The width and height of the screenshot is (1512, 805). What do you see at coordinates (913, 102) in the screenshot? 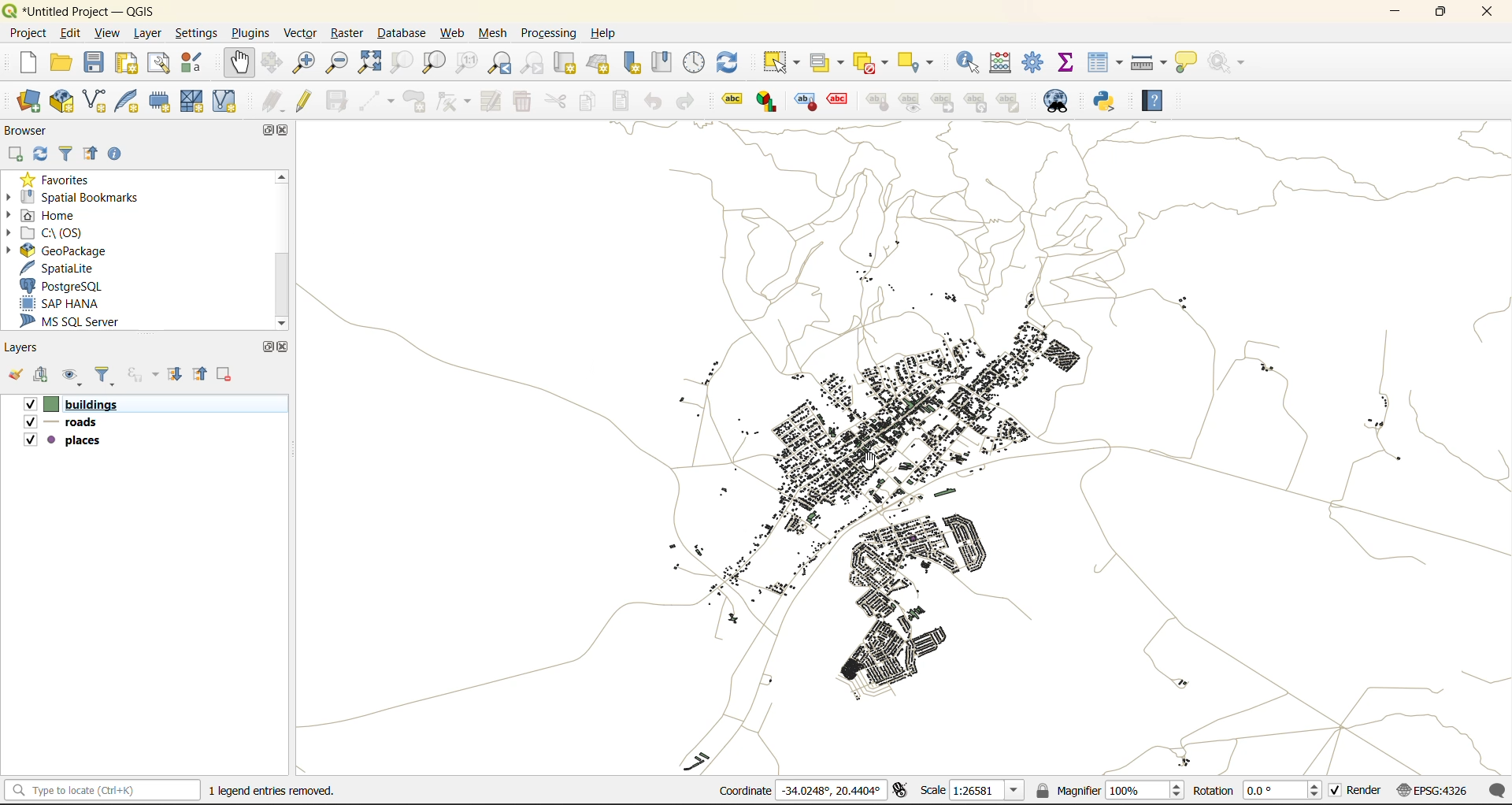
I see `Preview` at bounding box center [913, 102].